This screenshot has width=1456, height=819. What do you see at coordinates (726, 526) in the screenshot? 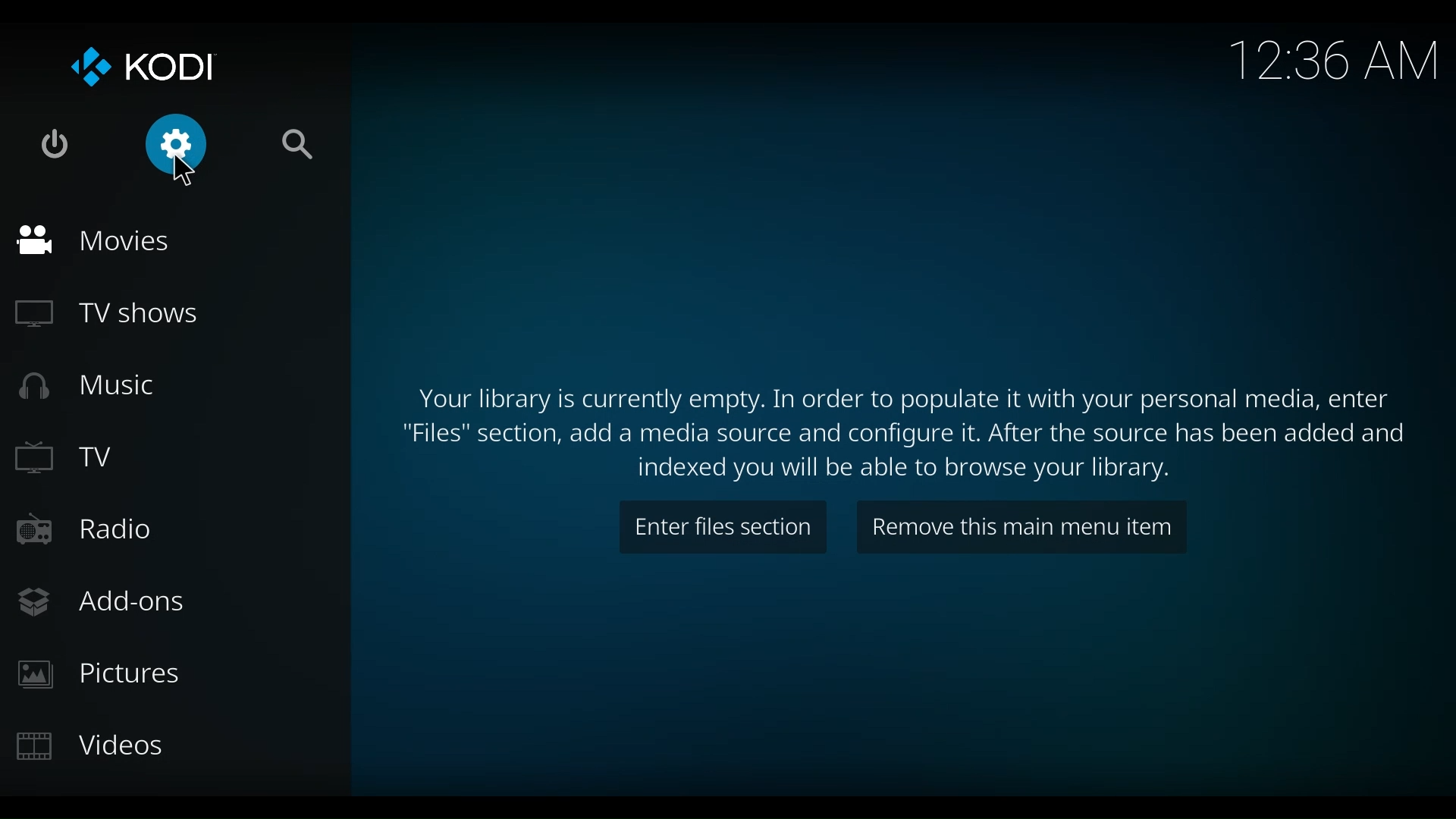
I see `Enter files section` at bounding box center [726, 526].